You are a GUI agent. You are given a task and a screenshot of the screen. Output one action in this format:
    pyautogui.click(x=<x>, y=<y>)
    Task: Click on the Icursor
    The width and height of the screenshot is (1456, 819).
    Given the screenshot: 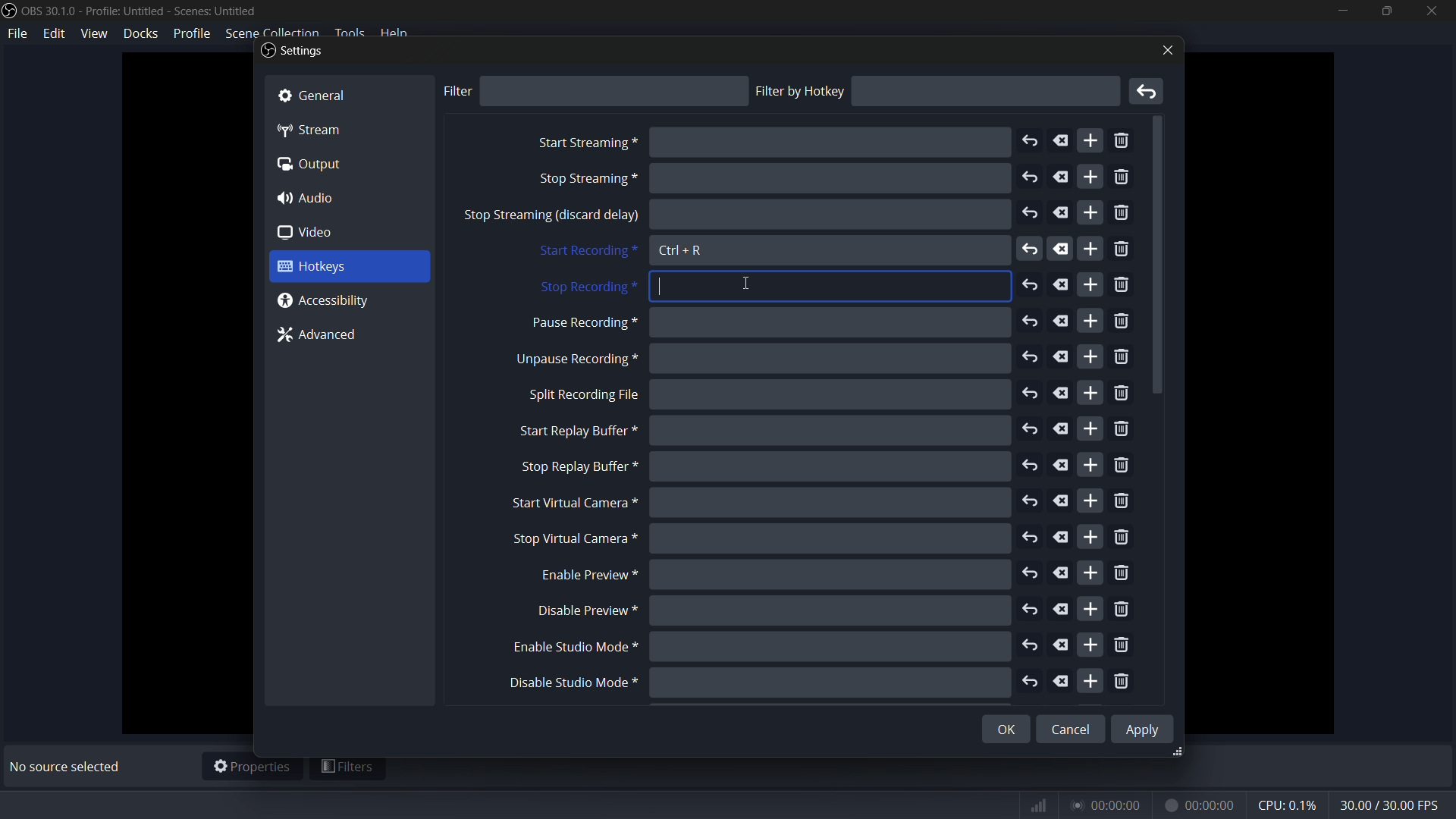 What is the action you would take?
    pyautogui.click(x=661, y=283)
    